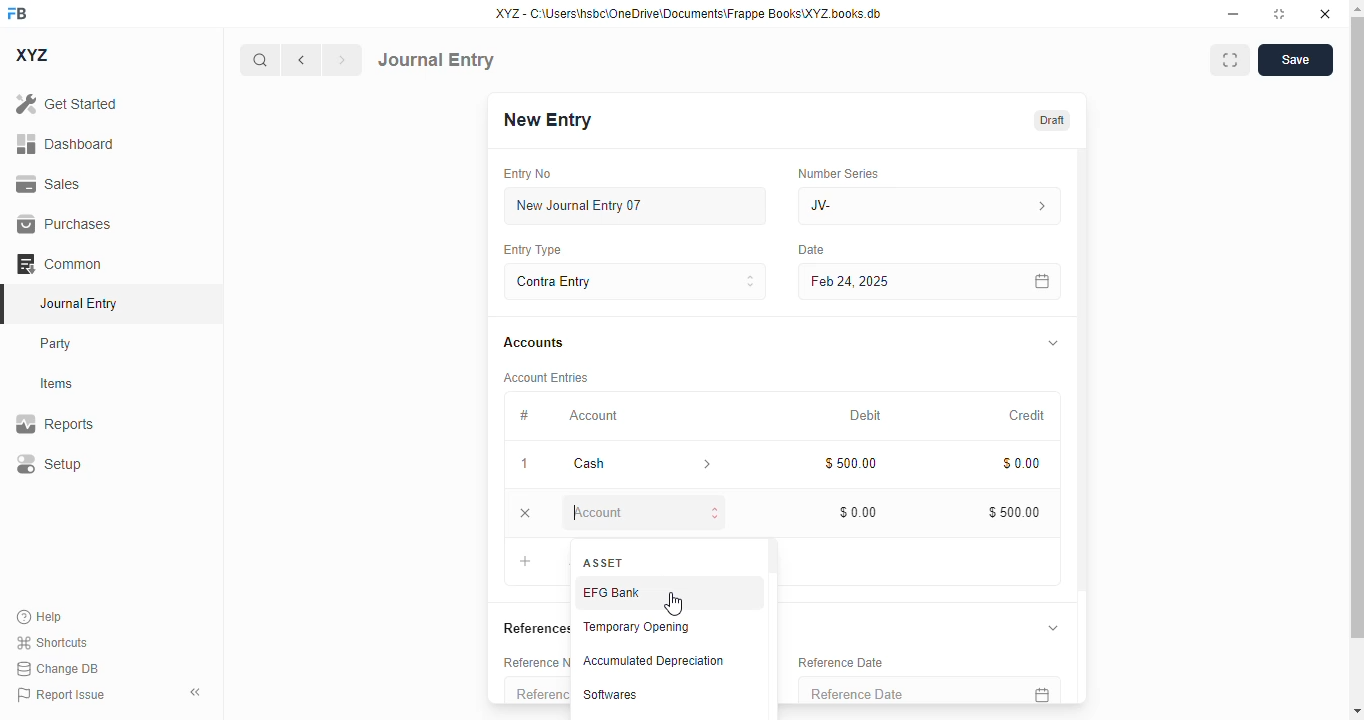  What do you see at coordinates (928, 206) in the screenshot?
I see `JV-` at bounding box center [928, 206].